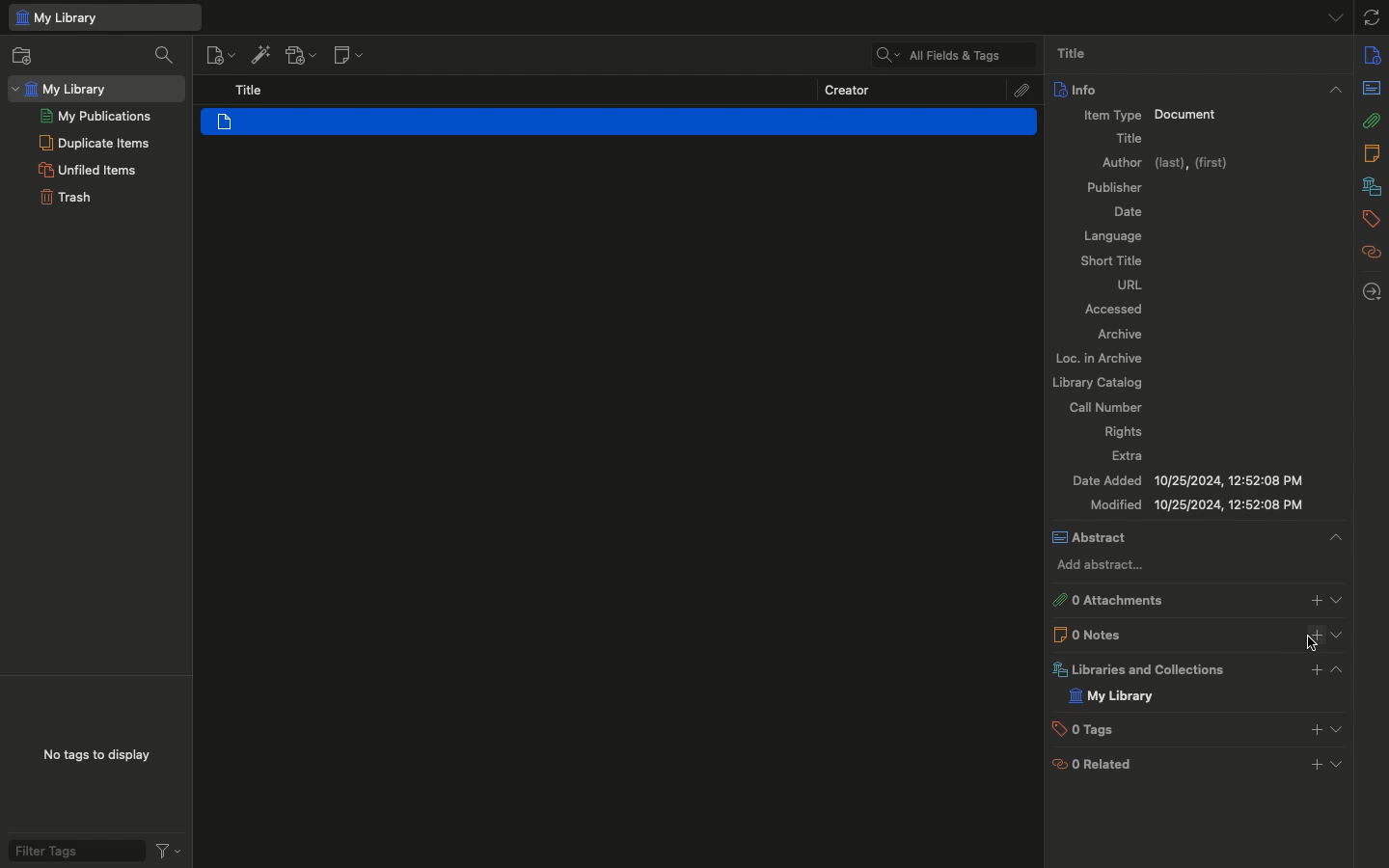 This screenshot has width=1389, height=868. I want to click on Publisher, so click(1118, 188).